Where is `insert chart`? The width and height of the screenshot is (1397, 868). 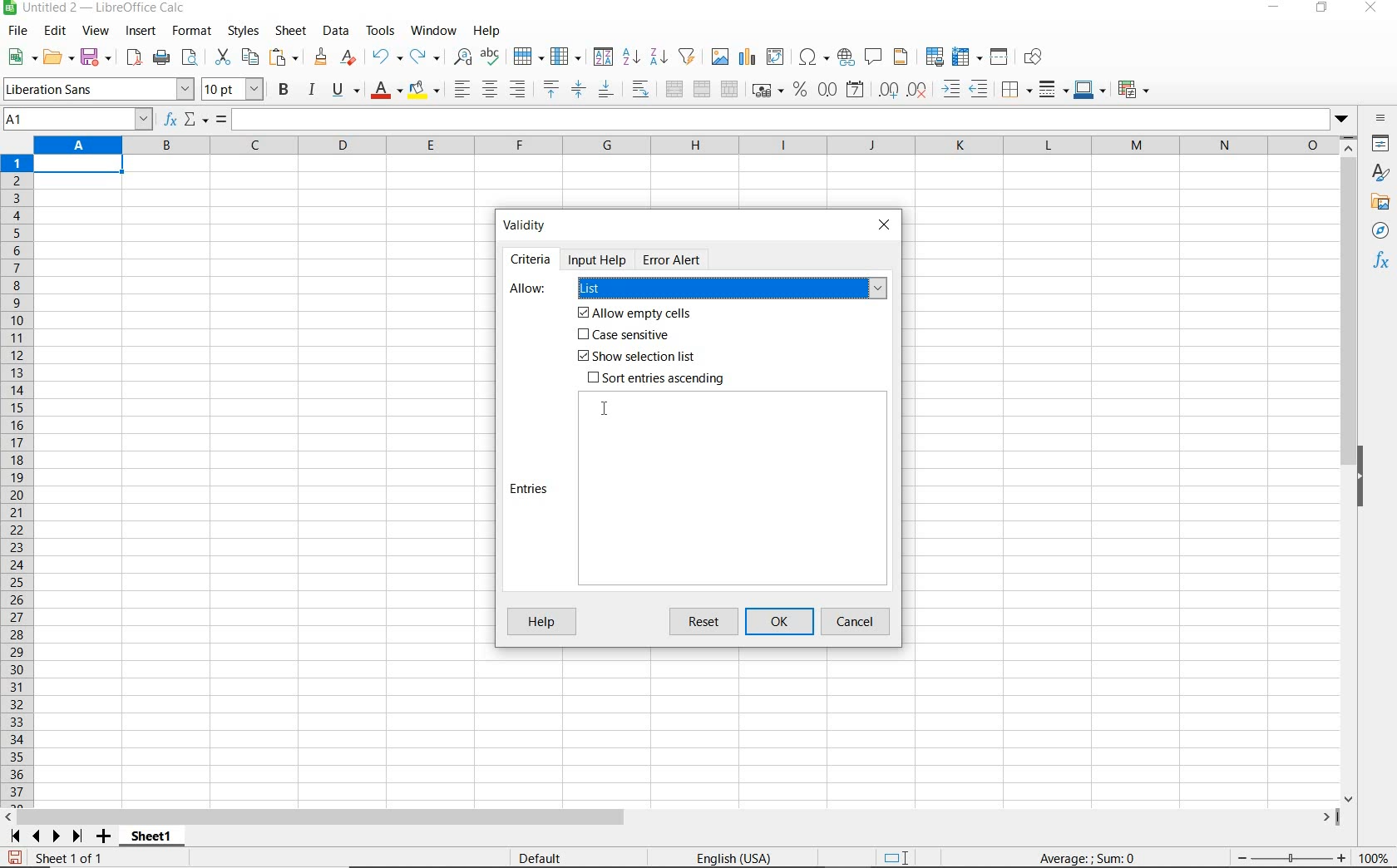
insert chart is located at coordinates (748, 57).